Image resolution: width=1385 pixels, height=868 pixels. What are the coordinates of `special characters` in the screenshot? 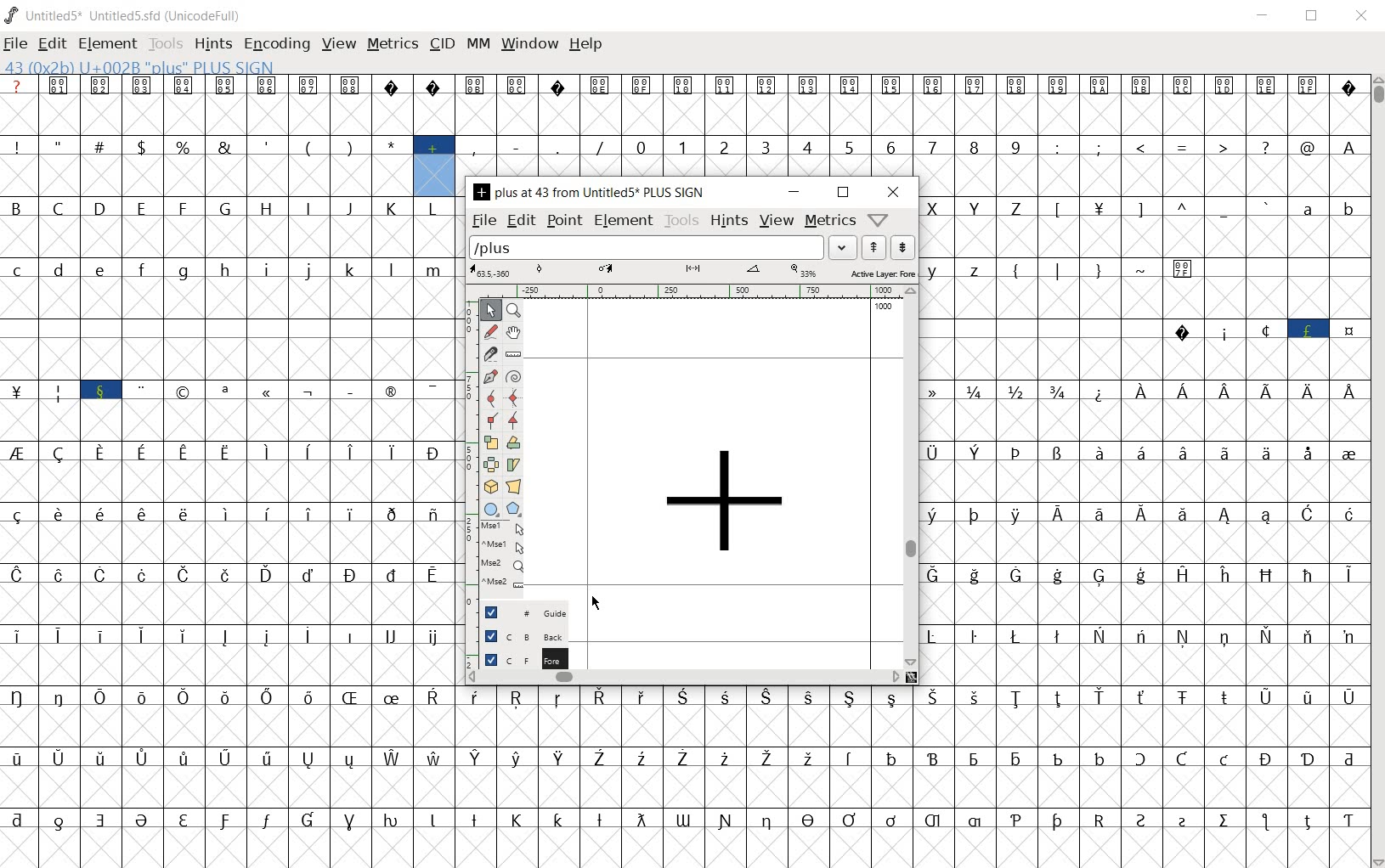 It's located at (293, 412).